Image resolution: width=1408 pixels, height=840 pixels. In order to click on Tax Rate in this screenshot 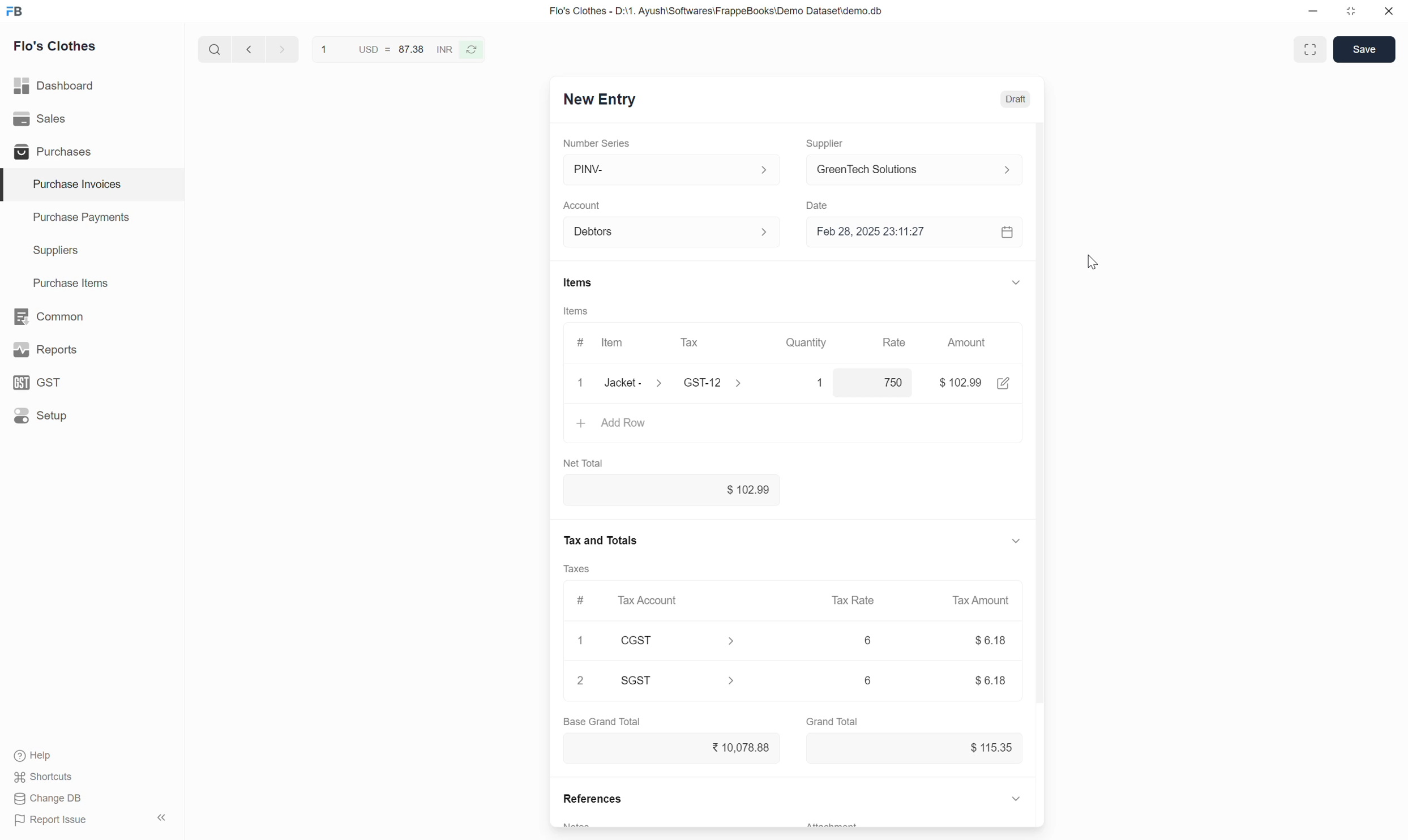, I will do `click(854, 600)`.